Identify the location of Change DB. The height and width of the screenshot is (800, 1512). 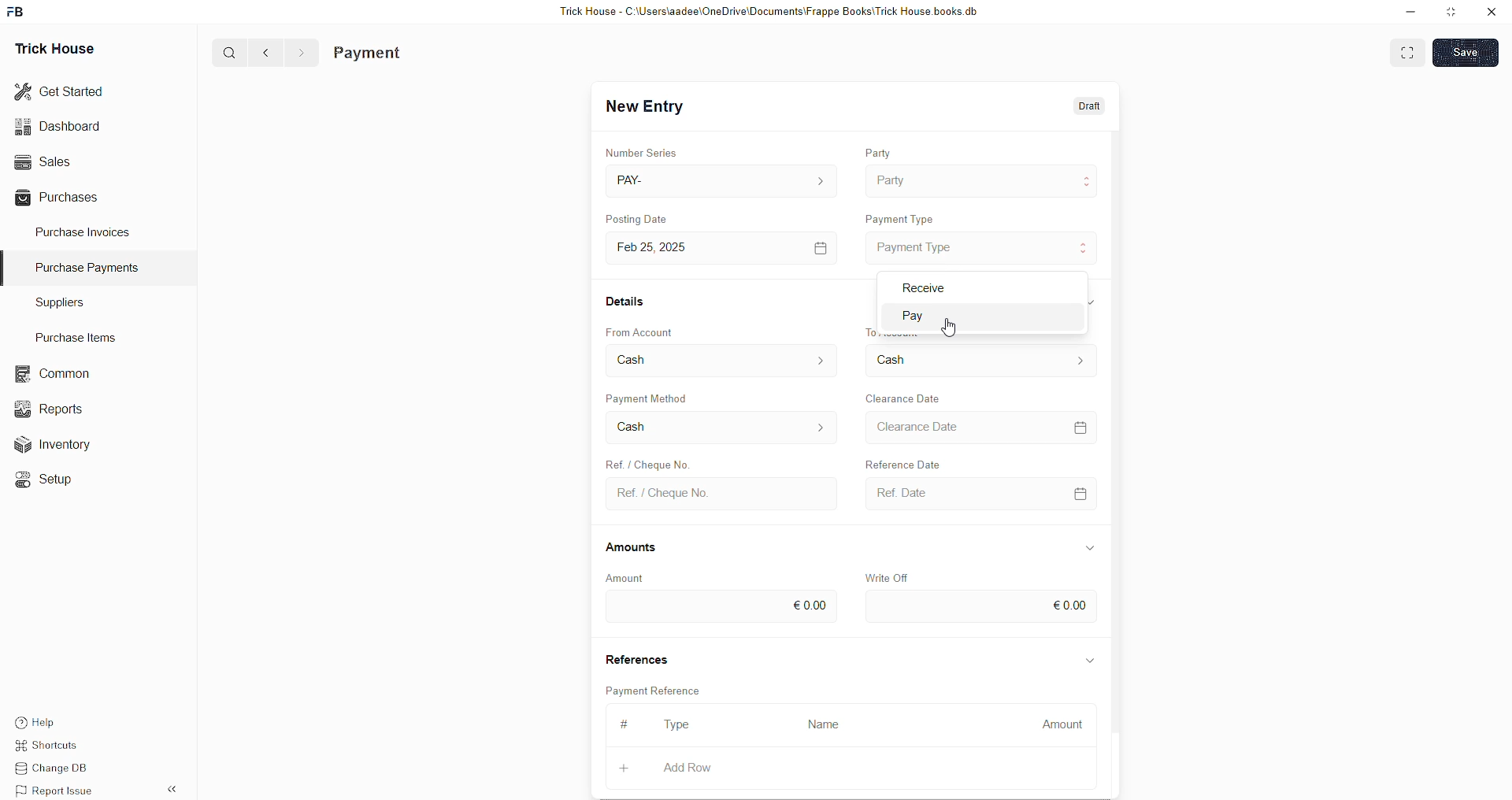
(60, 769).